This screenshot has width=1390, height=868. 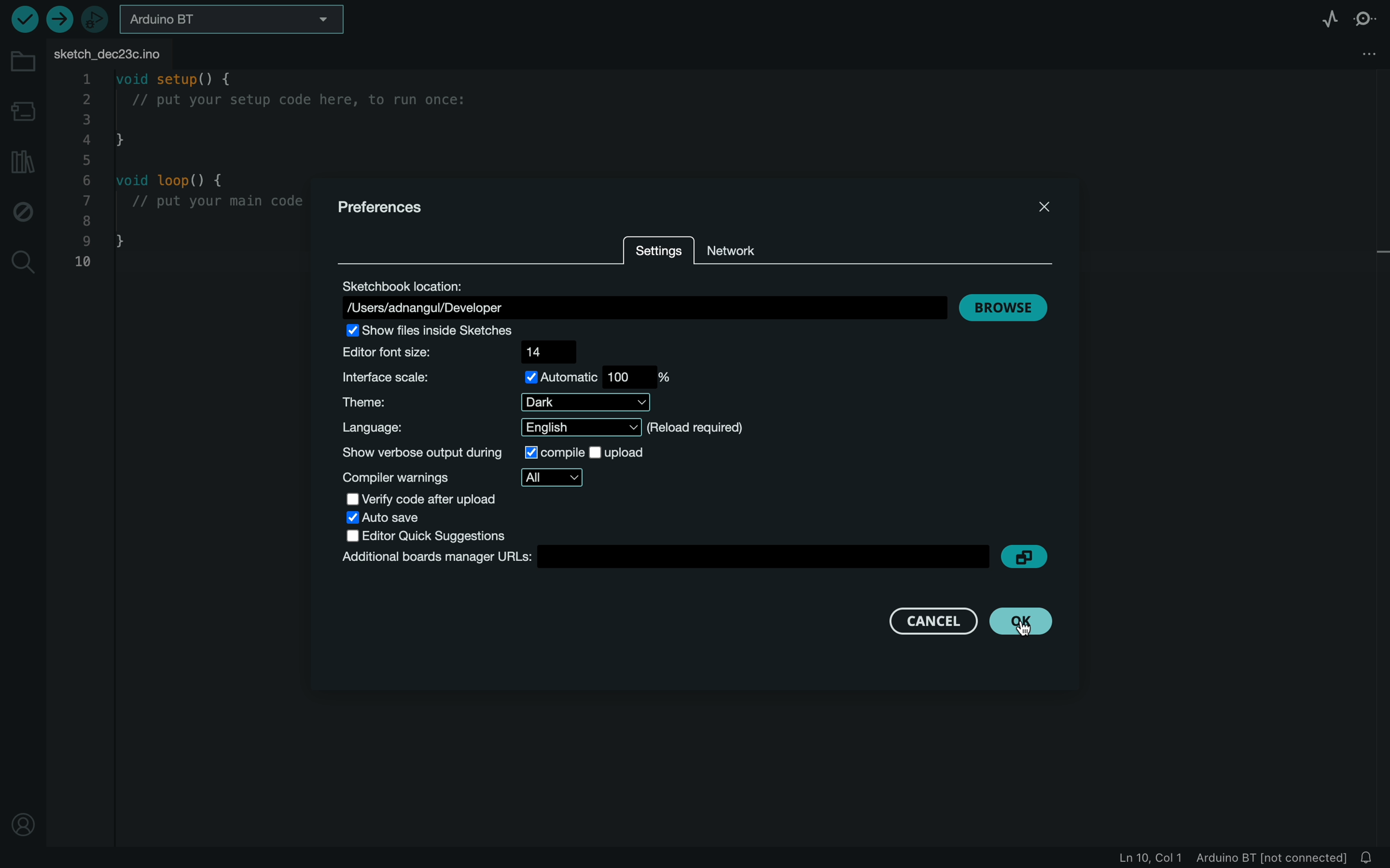 I want to click on show file , so click(x=431, y=331).